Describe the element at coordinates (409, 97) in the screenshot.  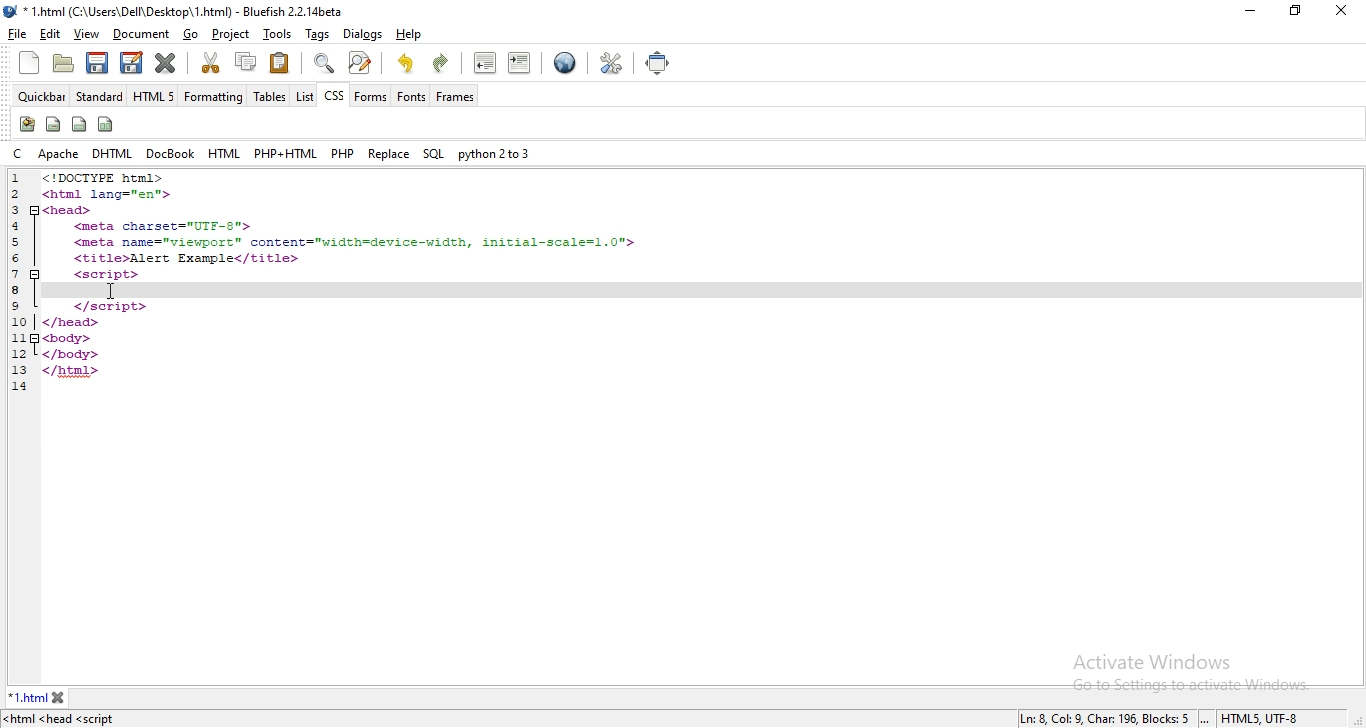
I see `fonts` at that location.